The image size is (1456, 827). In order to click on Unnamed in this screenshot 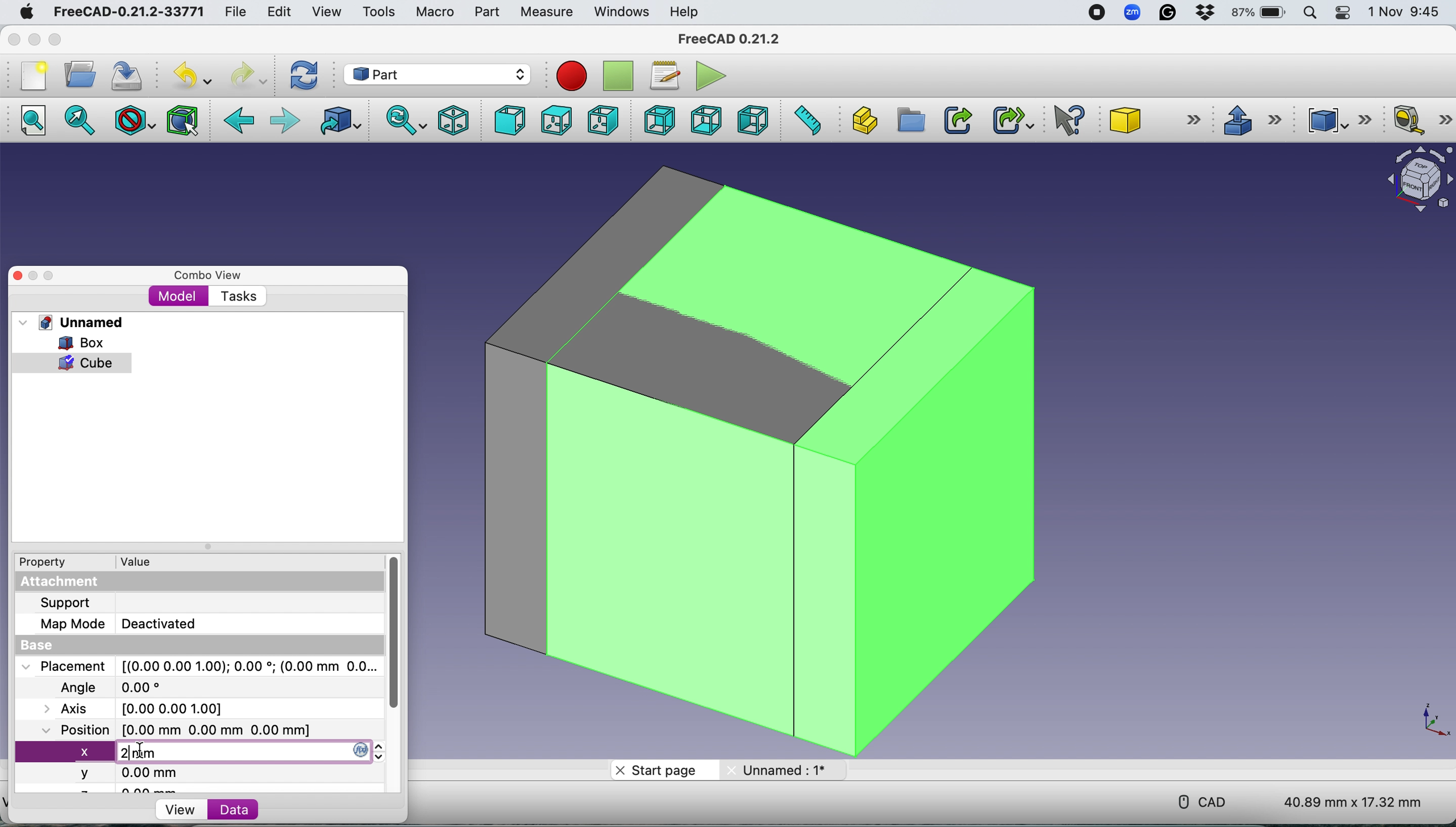, I will do `click(782, 769)`.